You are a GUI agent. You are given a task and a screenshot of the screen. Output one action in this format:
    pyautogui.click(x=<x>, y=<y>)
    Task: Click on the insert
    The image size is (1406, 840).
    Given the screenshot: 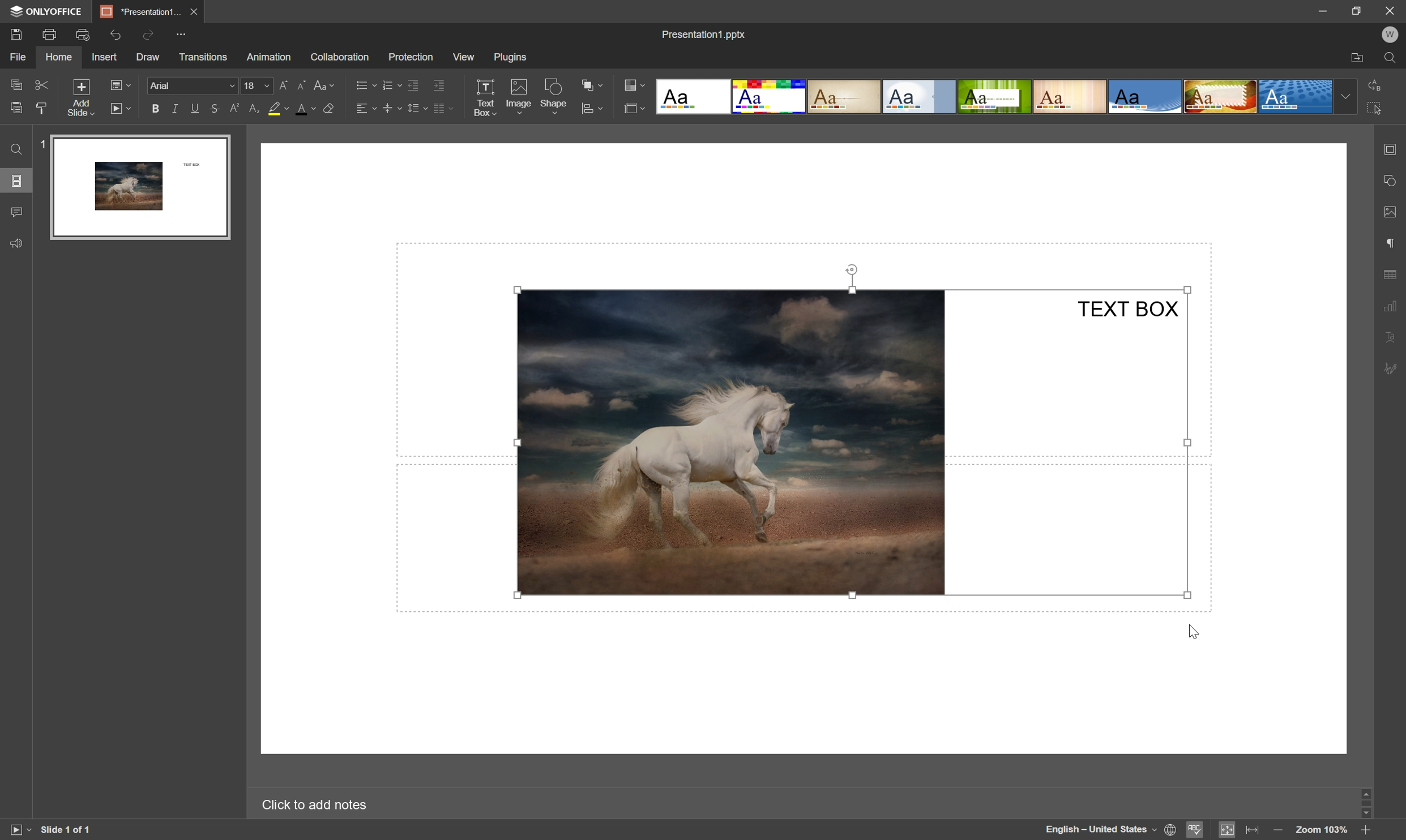 What is the action you would take?
    pyautogui.click(x=106, y=58)
    